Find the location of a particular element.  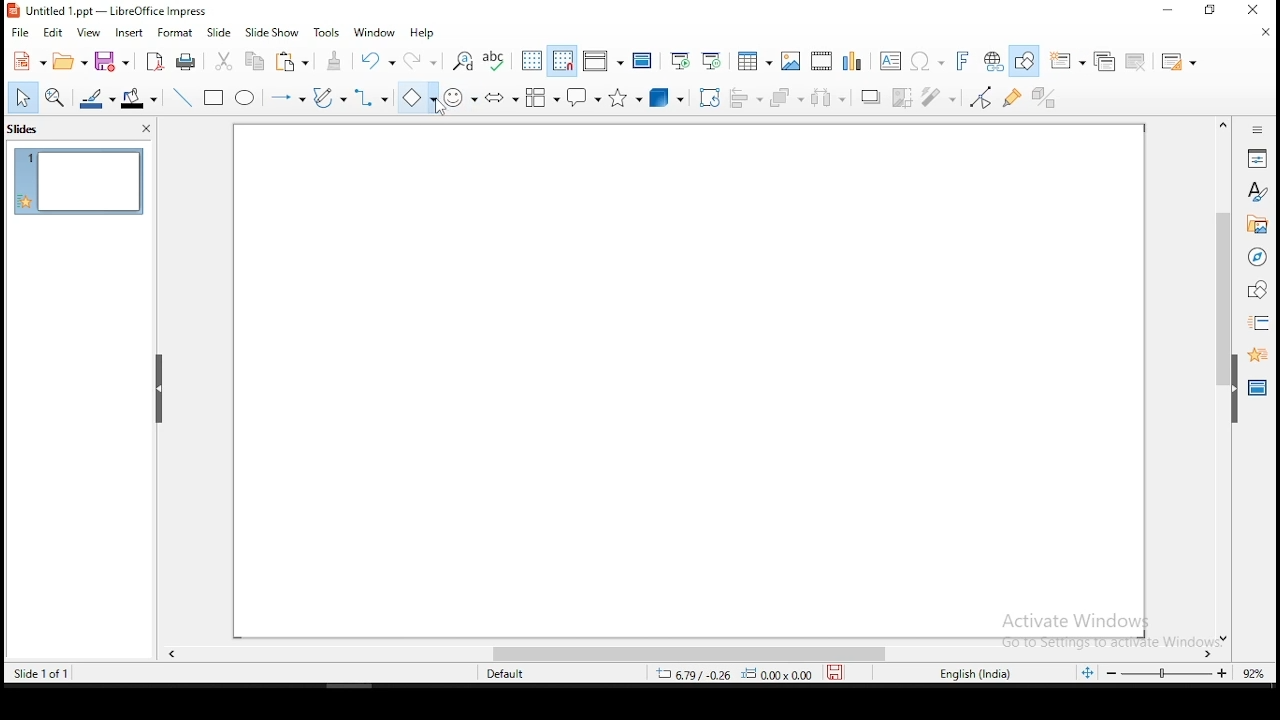

undo is located at coordinates (378, 61).